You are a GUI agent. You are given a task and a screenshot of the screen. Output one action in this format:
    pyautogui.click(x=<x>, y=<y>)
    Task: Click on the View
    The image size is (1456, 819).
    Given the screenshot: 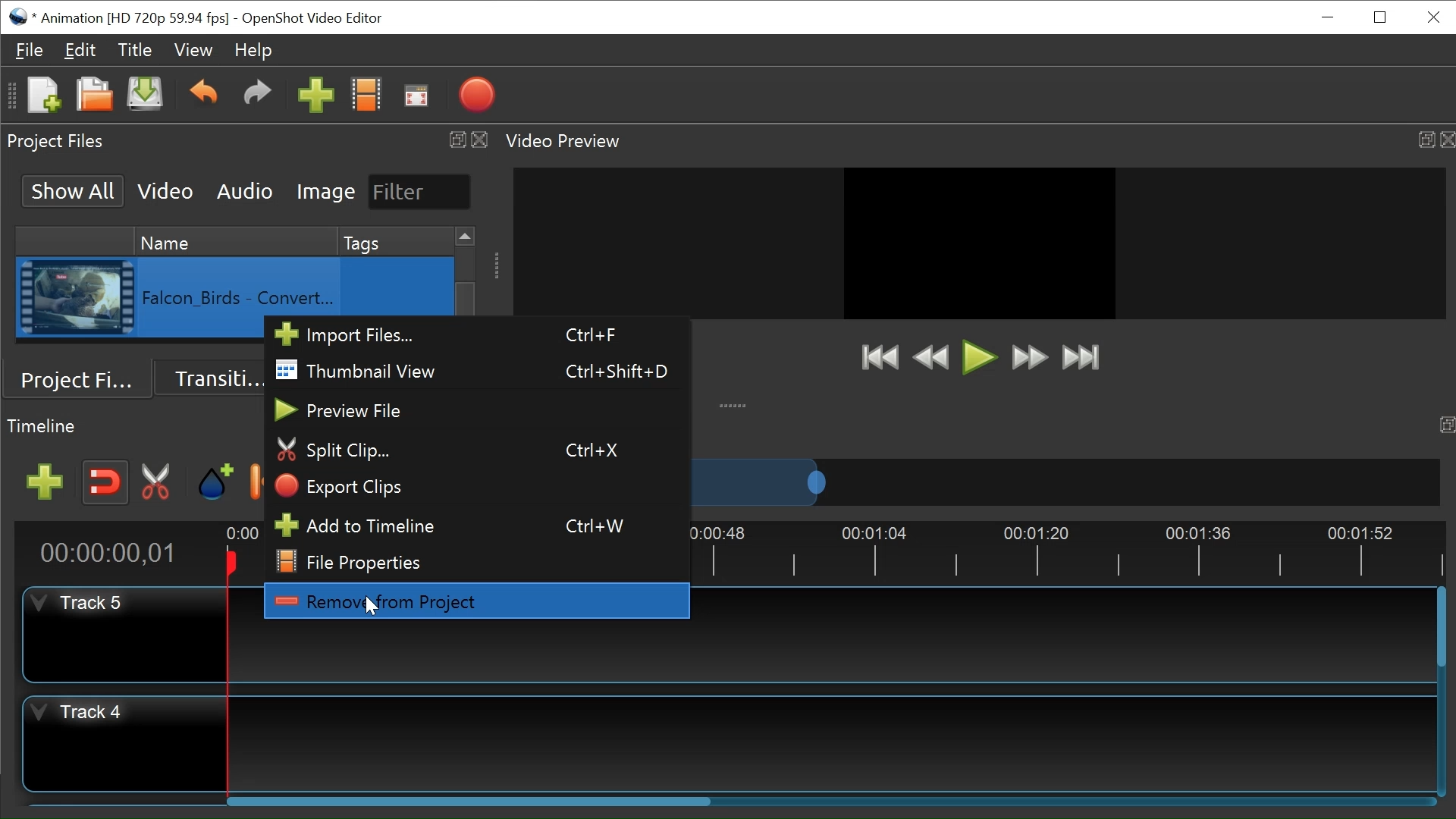 What is the action you would take?
    pyautogui.click(x=193, y=49)
    